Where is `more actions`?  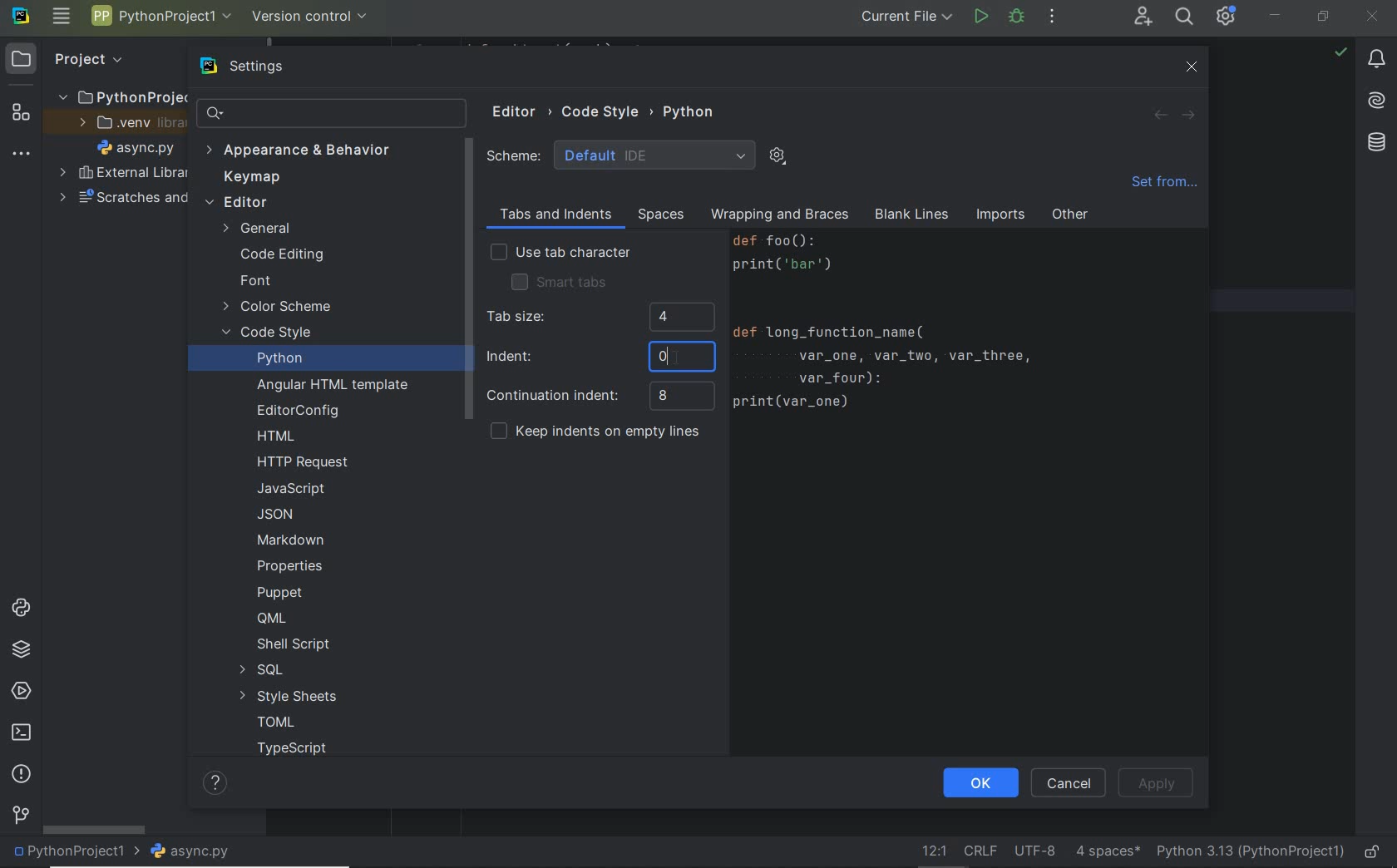 more actions is located at coordinates (1052, 17).